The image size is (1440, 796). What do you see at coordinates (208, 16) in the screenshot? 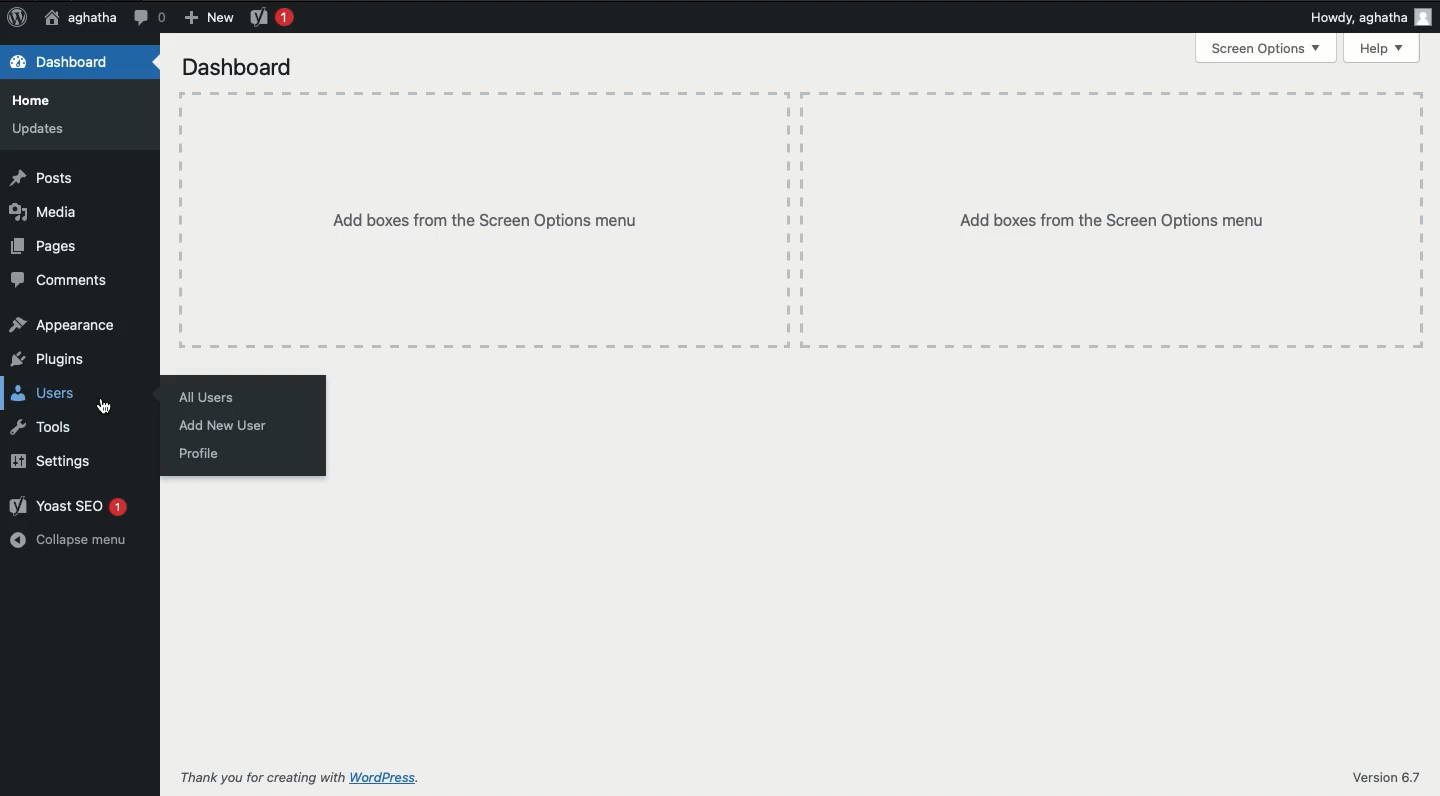
I see `New` at bounding box center [208, 16].